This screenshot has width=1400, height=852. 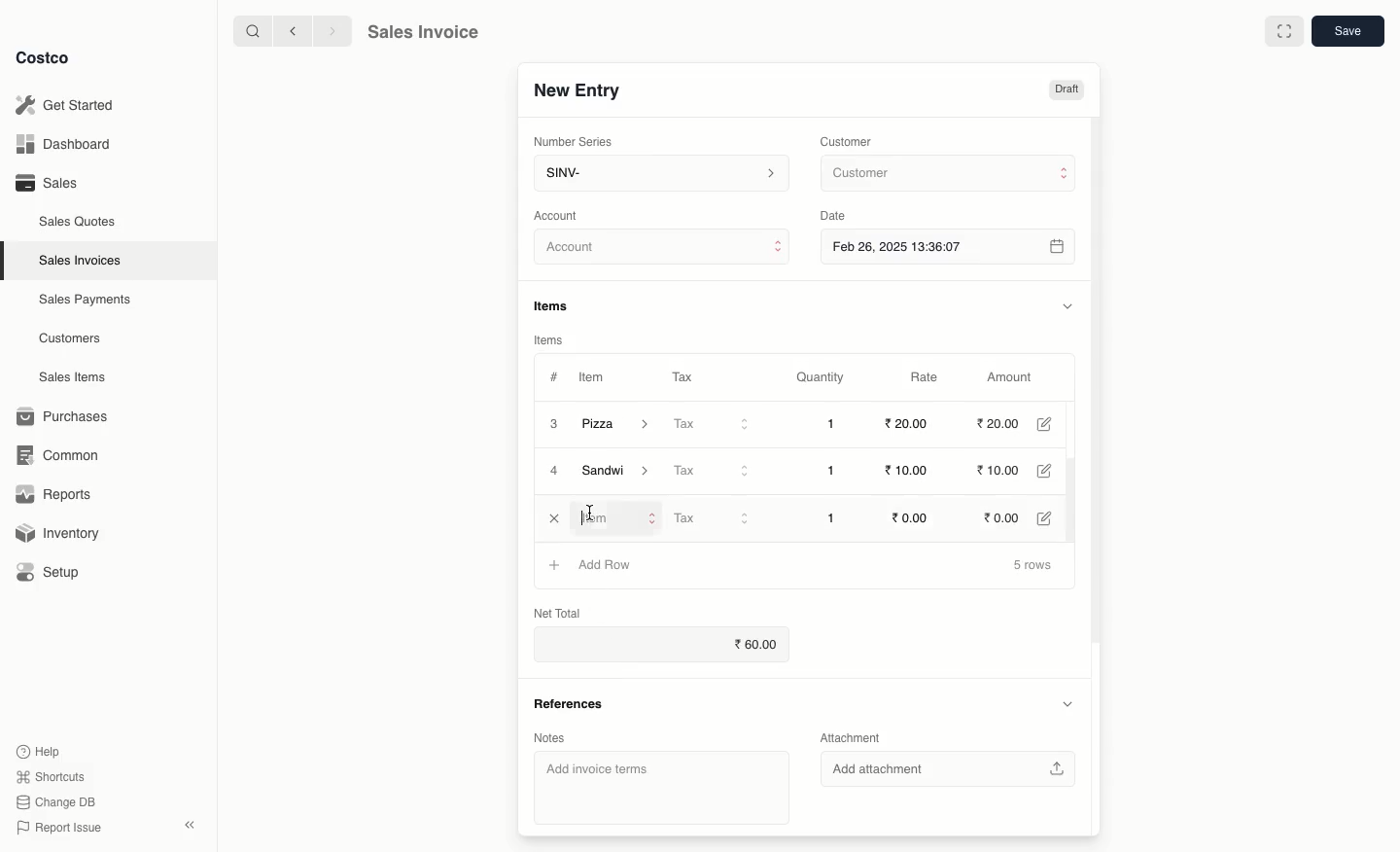 I want to click on Common, so click(x=66, y=455).